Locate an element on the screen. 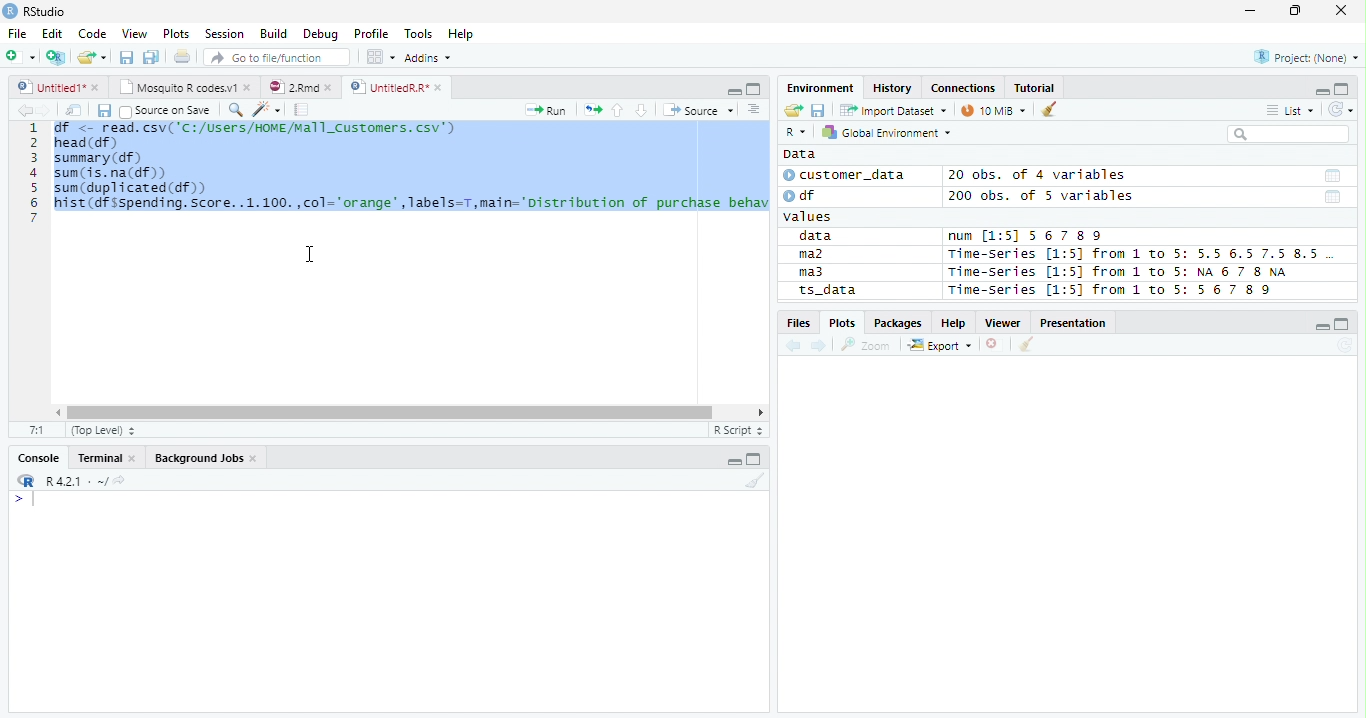 This screenshot has width=1366, height=718. Time-series [1:5] from 1 to 5: NA 6 7 8 NA is located at coordinates (1126, 273).